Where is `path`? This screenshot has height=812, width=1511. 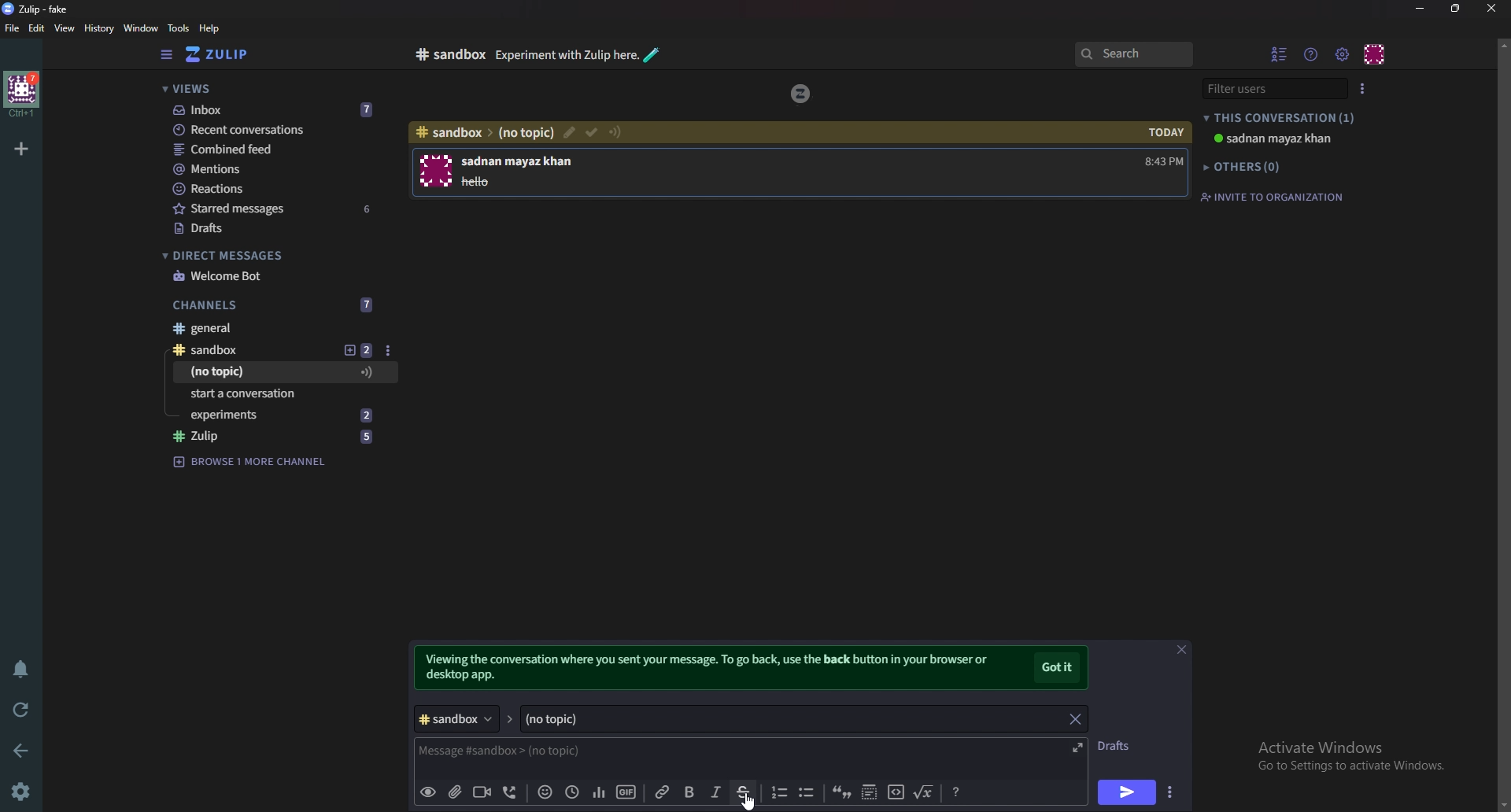 path is located at coordinates (482, 132).